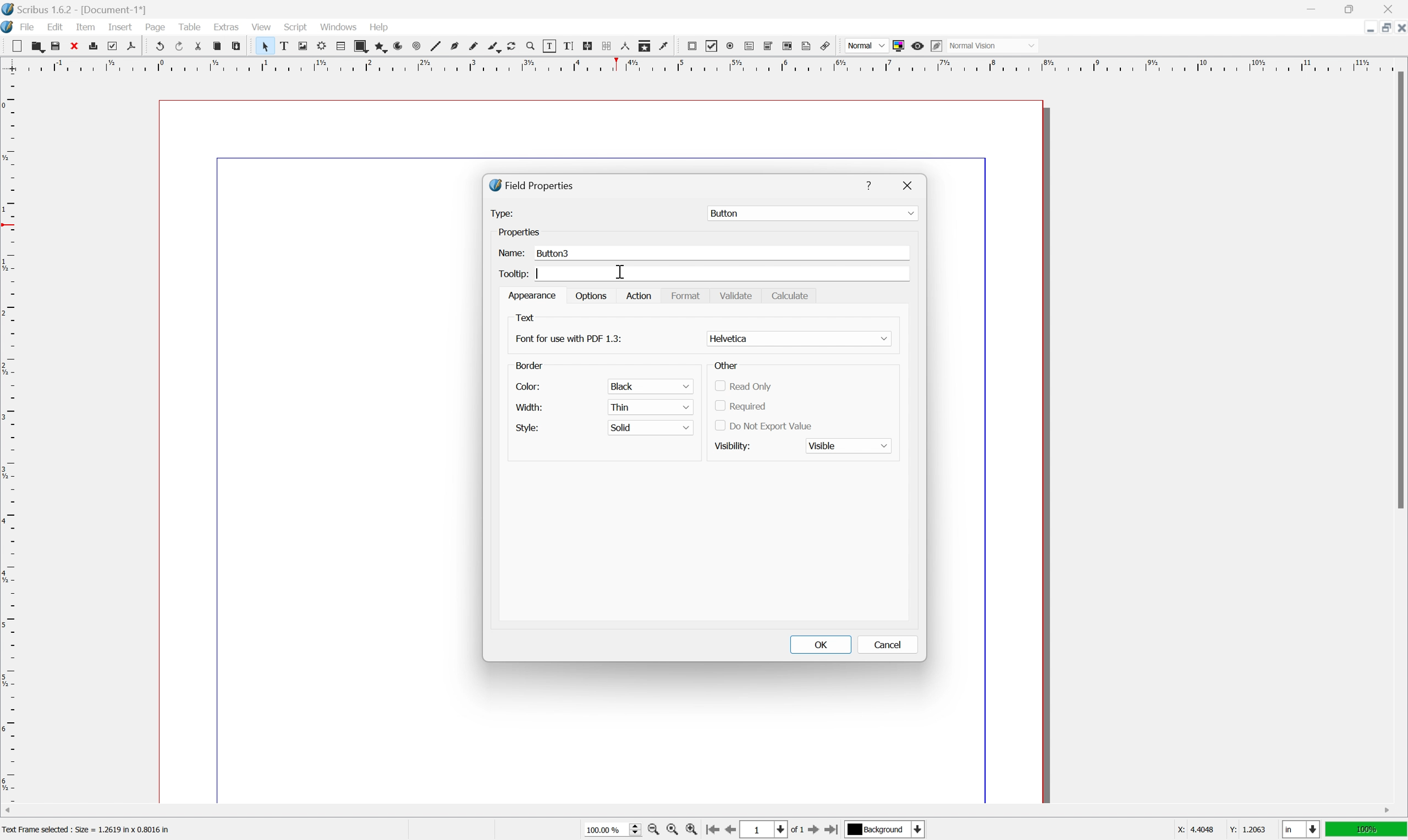  Describe the element at coordinates (1367, 831) in the screenshot. I see `100%` at that location.